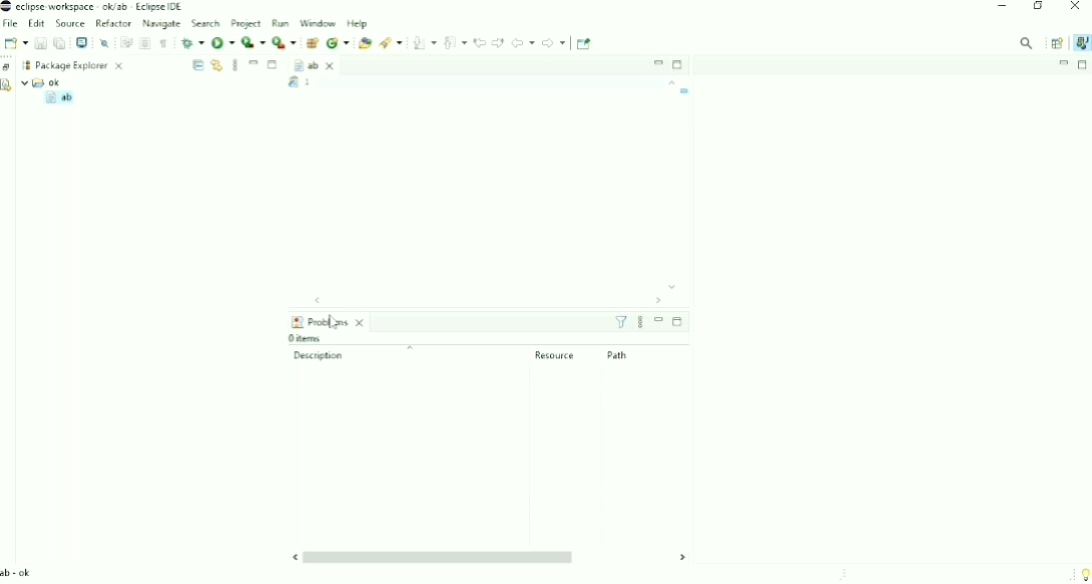 This screenshot has width=1092, height=584. I want to click on View menu, so click(640, 323).